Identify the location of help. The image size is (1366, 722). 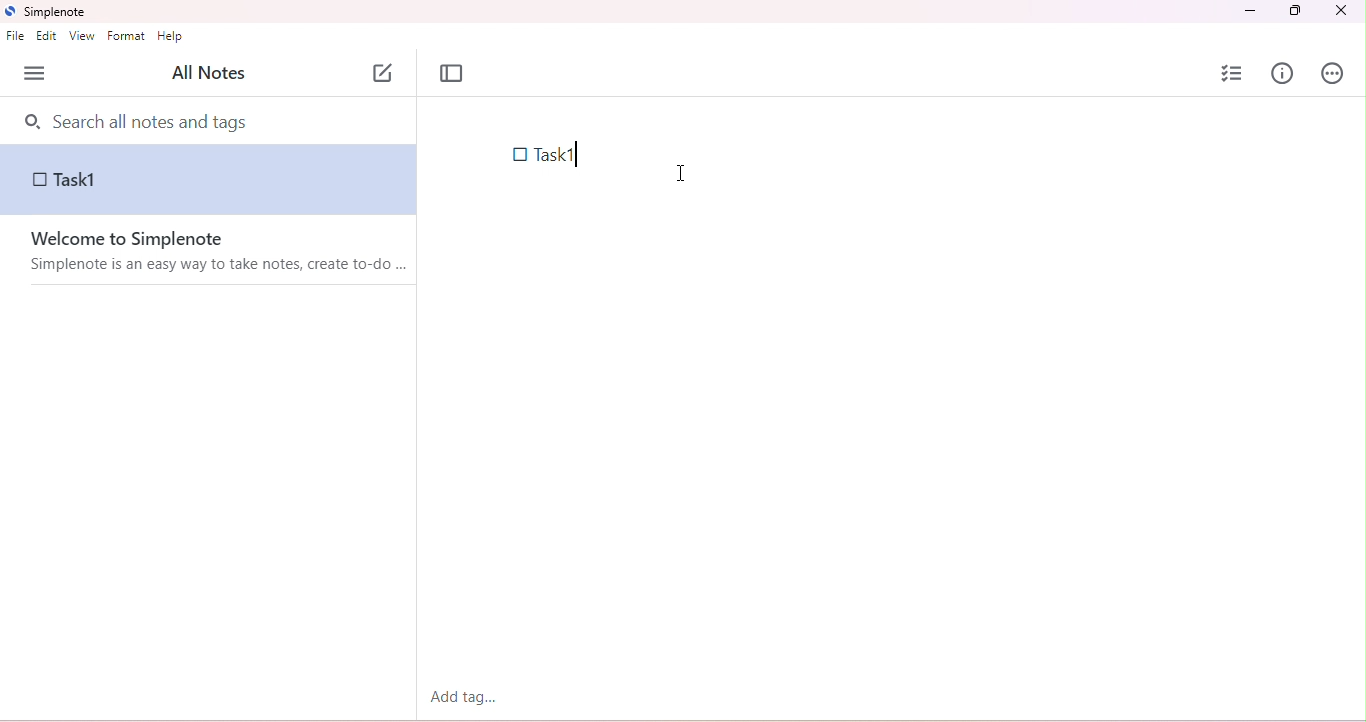
(172, 38).